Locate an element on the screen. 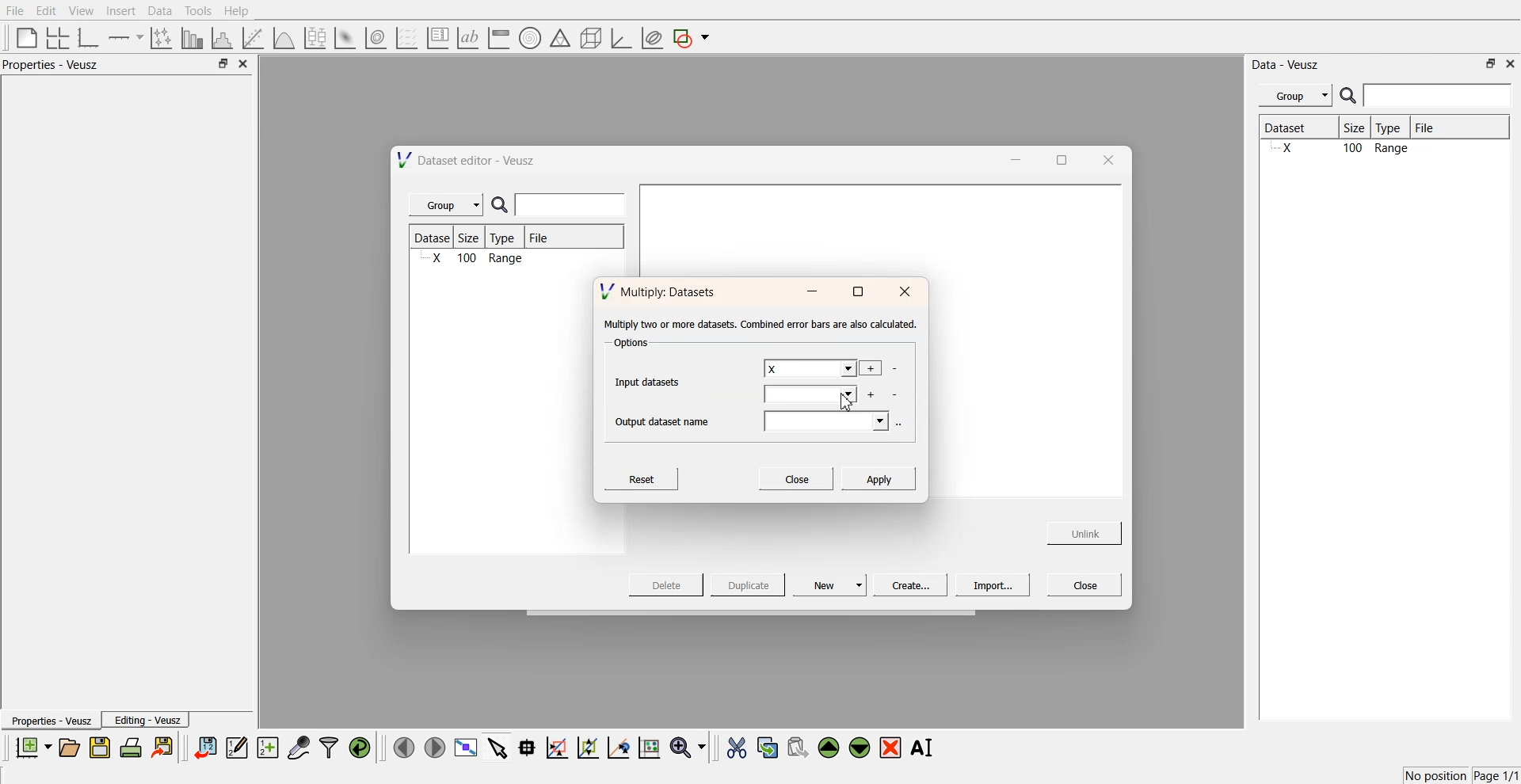 Image resolution: width=1521 pixels, height=784 pixels. edit and enter data points is located at coordinates (237, 749).